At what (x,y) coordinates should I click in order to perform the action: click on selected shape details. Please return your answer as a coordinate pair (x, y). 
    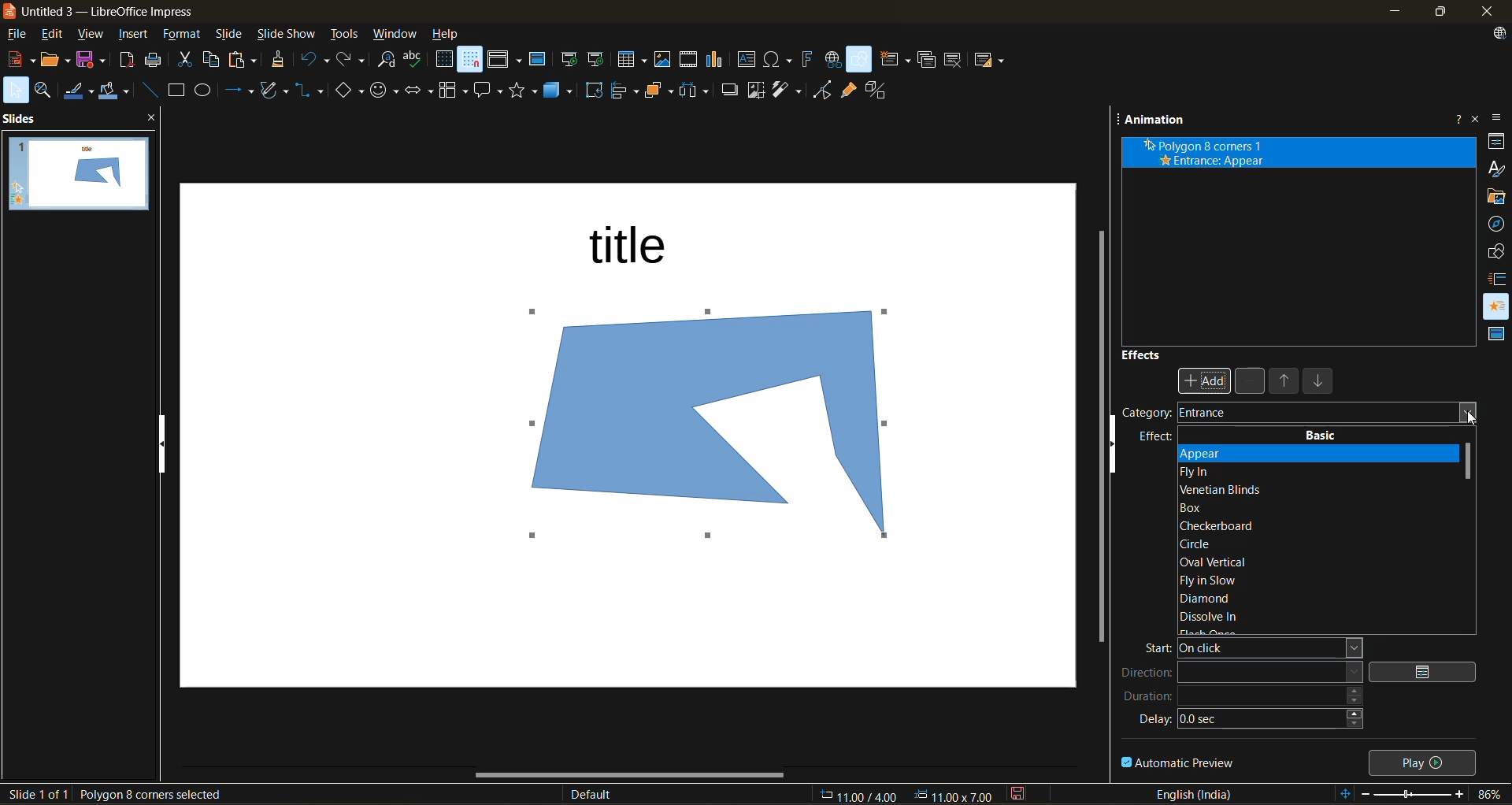
    Looking at the image, I should click on (150, 796).